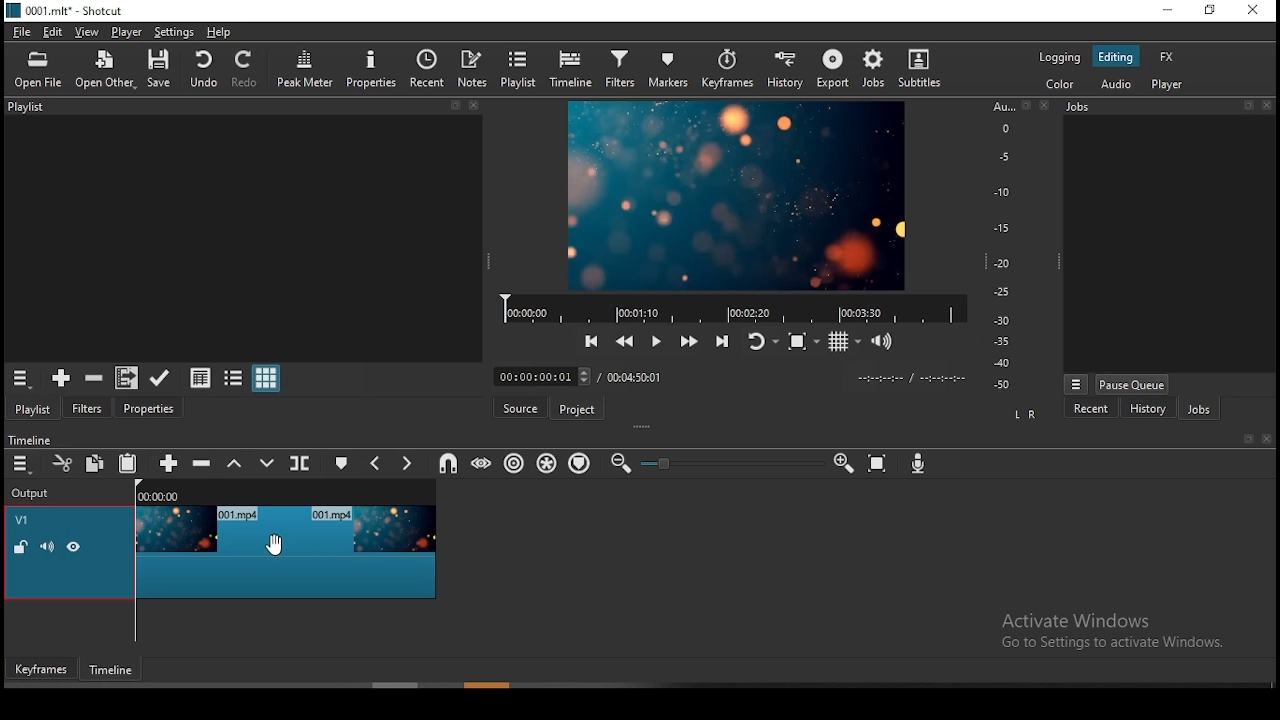  What do you see at coordinates (1076, 383) in the screenshot?
I see `view menu` at bounding box center [1076, 383].